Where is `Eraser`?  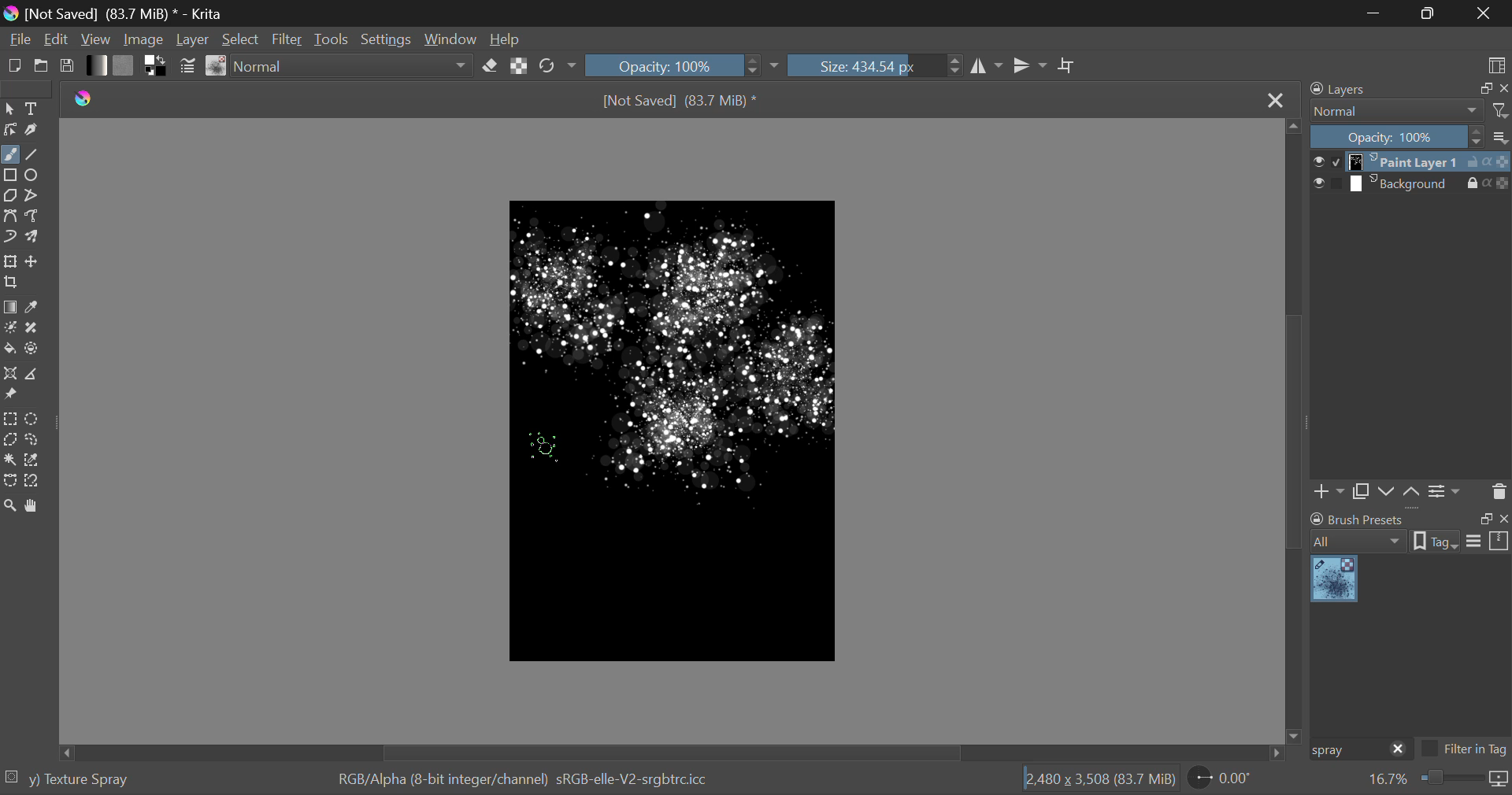 Eraser is located at coordinates (490, 66).